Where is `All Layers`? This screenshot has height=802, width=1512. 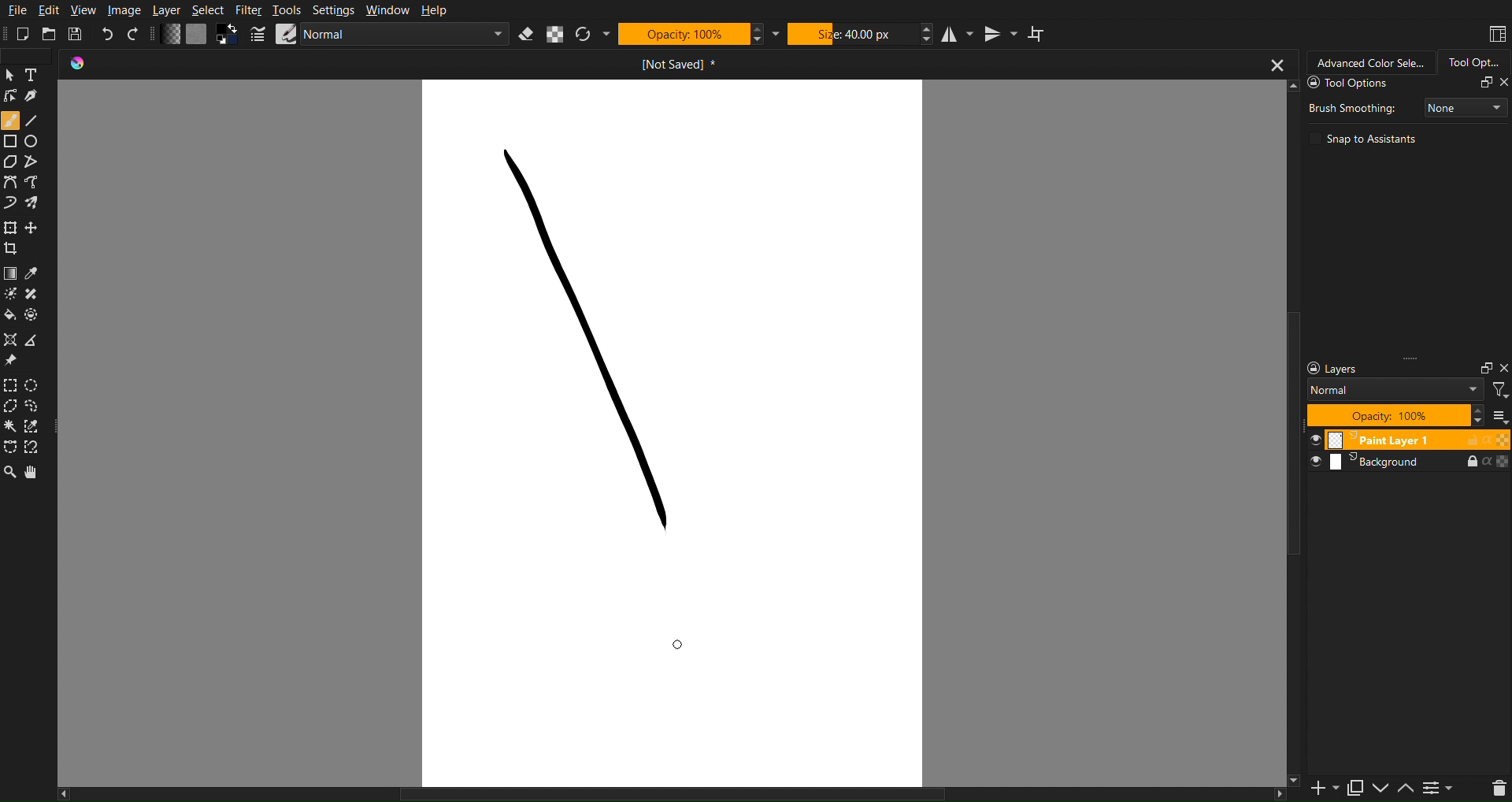 All Layers is located at coordinates (1499, 414).